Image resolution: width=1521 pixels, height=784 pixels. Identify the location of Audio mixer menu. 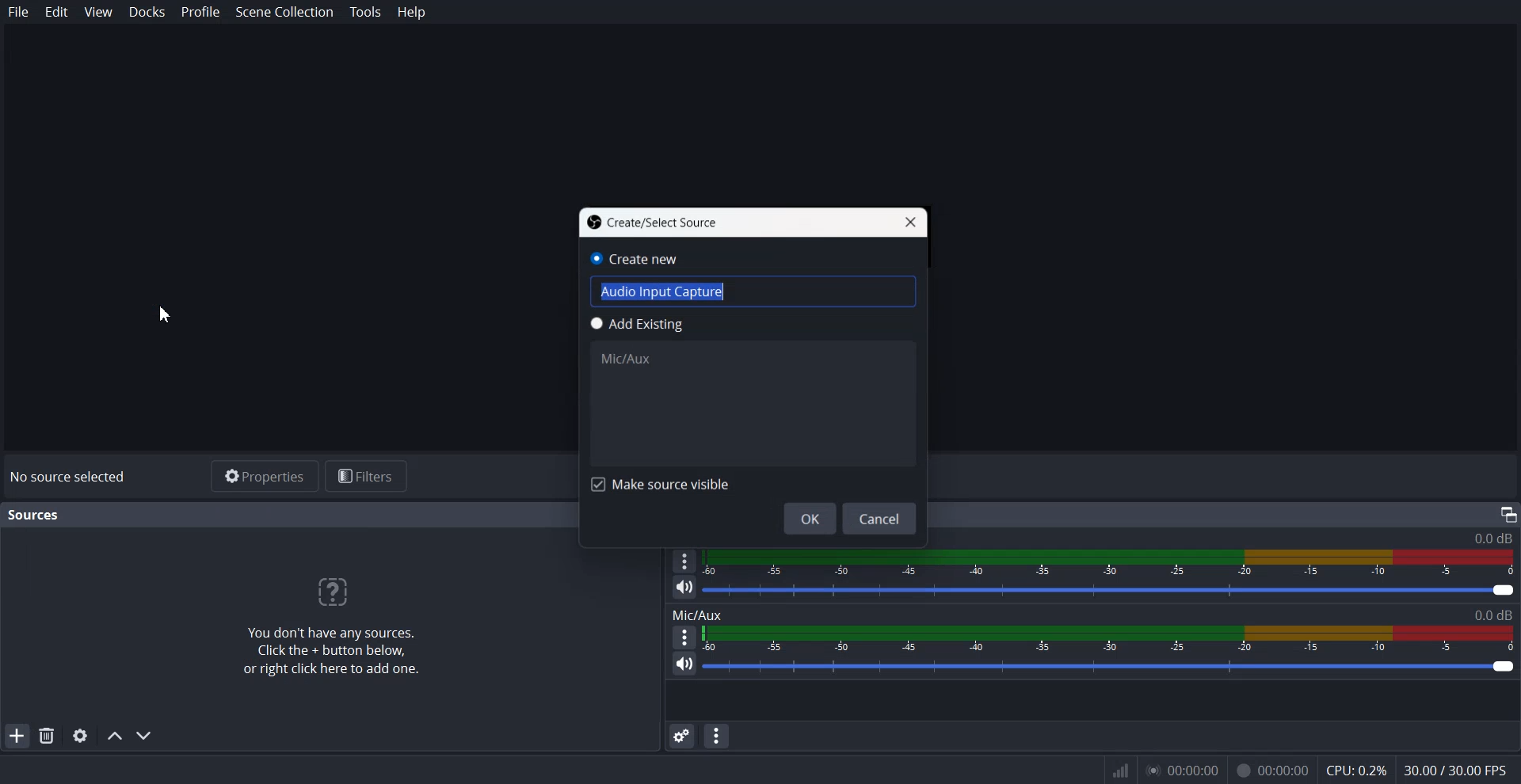
(716, 736).